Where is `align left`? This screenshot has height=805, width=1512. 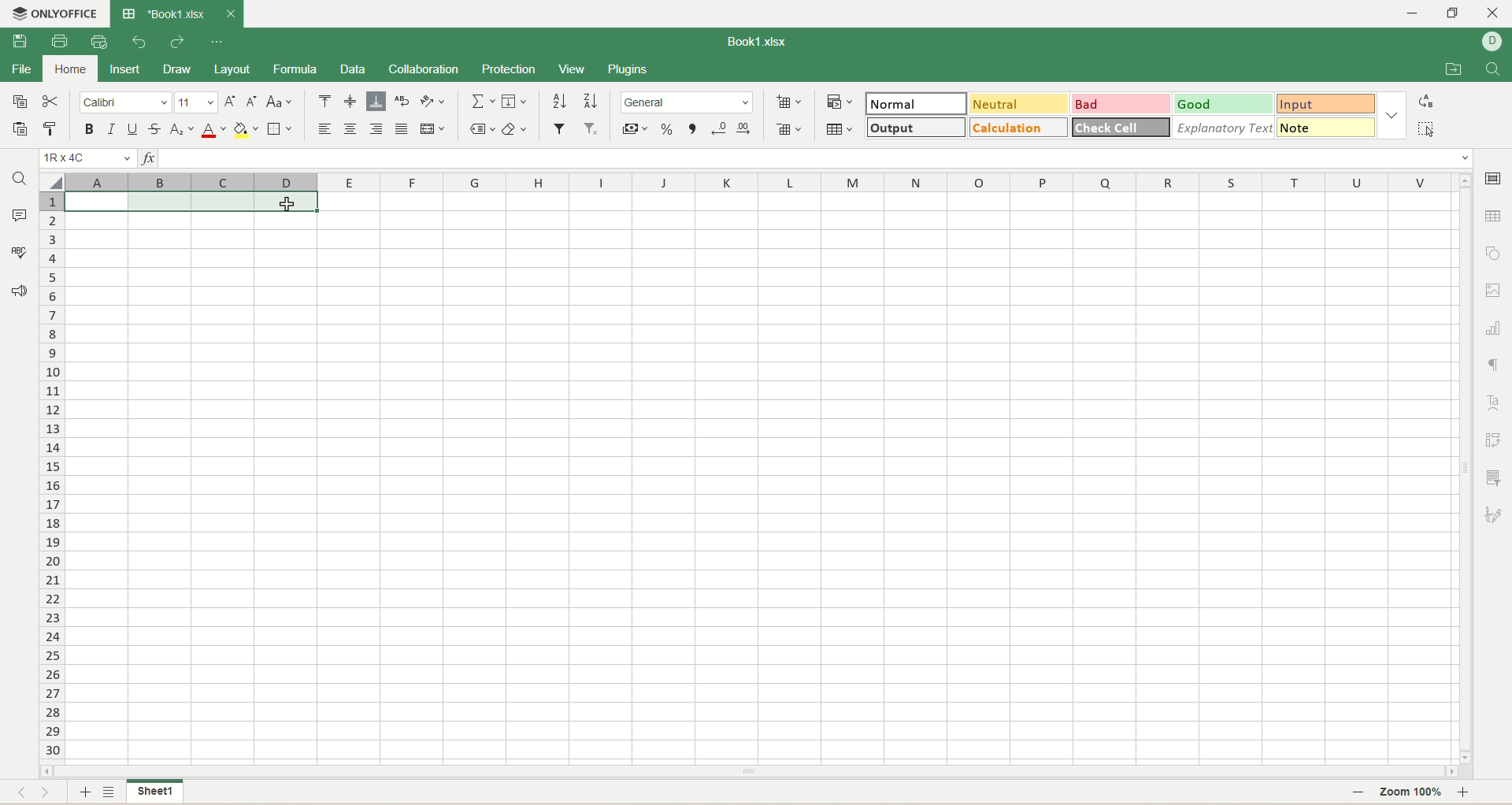
align left is located at coordinates (325, 130).